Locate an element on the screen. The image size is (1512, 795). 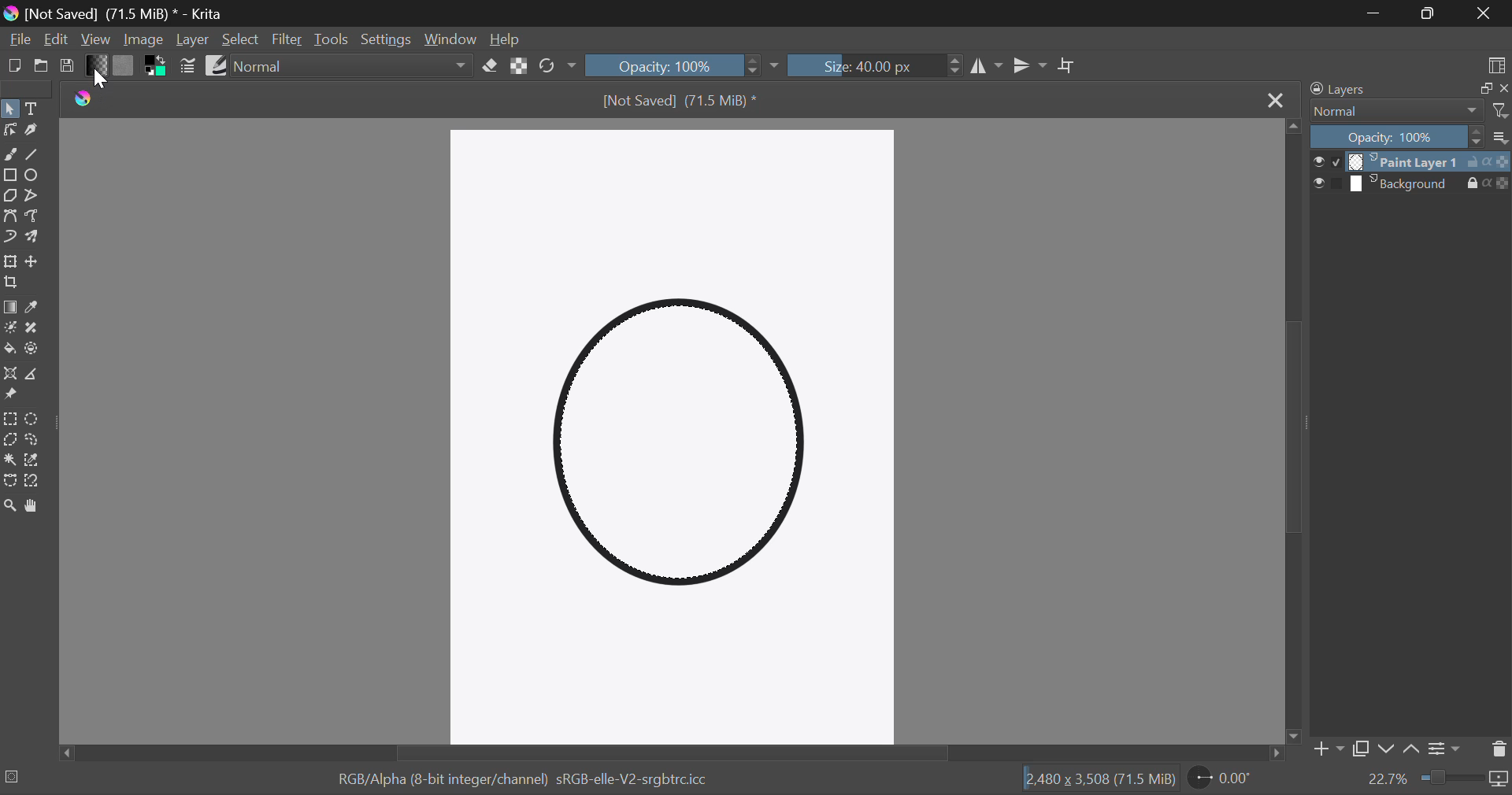
Pattern is located at coordinates (124, 66).